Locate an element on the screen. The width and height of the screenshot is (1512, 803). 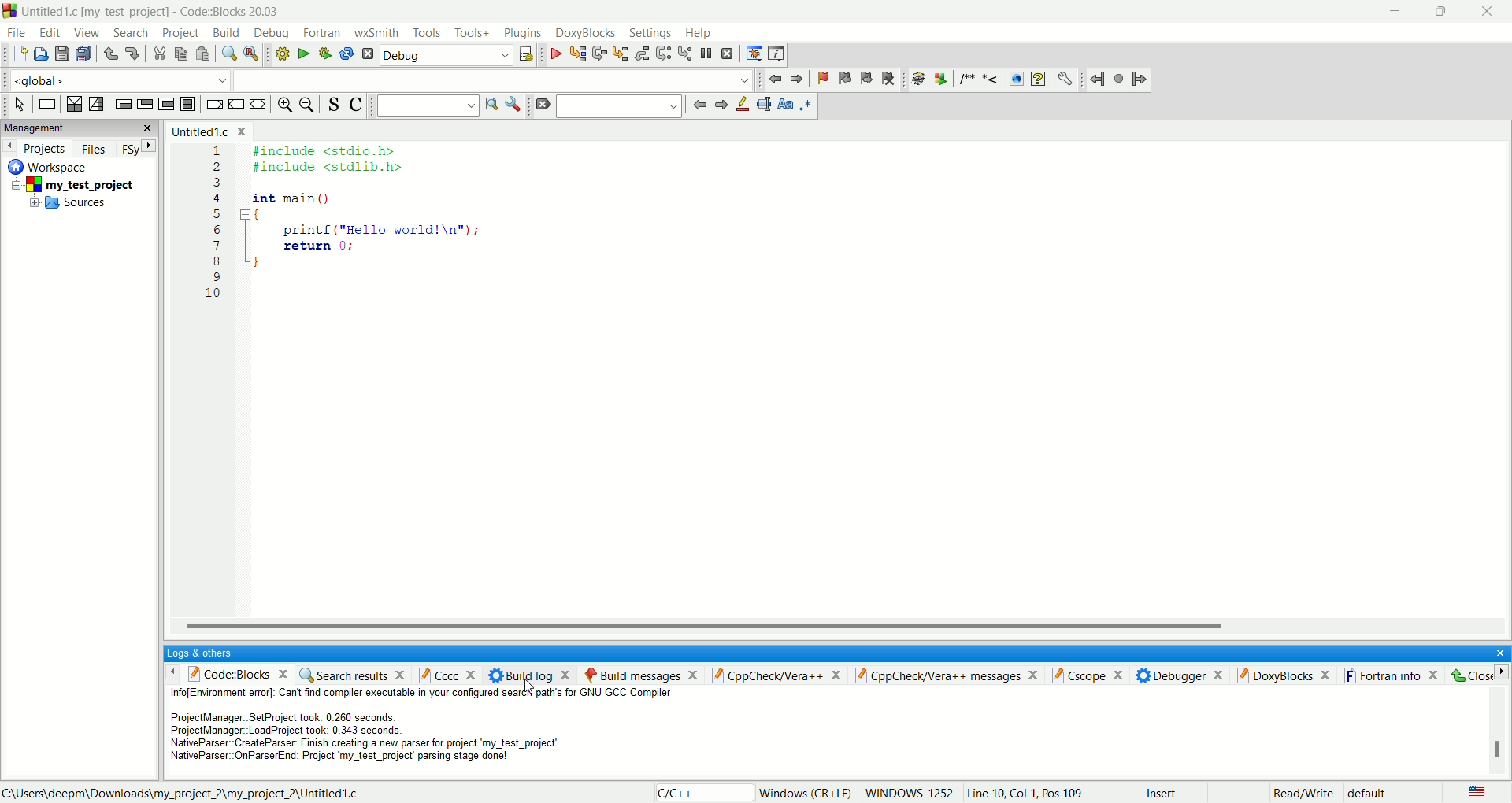
C/C++ is located at coordinates (700, 792).